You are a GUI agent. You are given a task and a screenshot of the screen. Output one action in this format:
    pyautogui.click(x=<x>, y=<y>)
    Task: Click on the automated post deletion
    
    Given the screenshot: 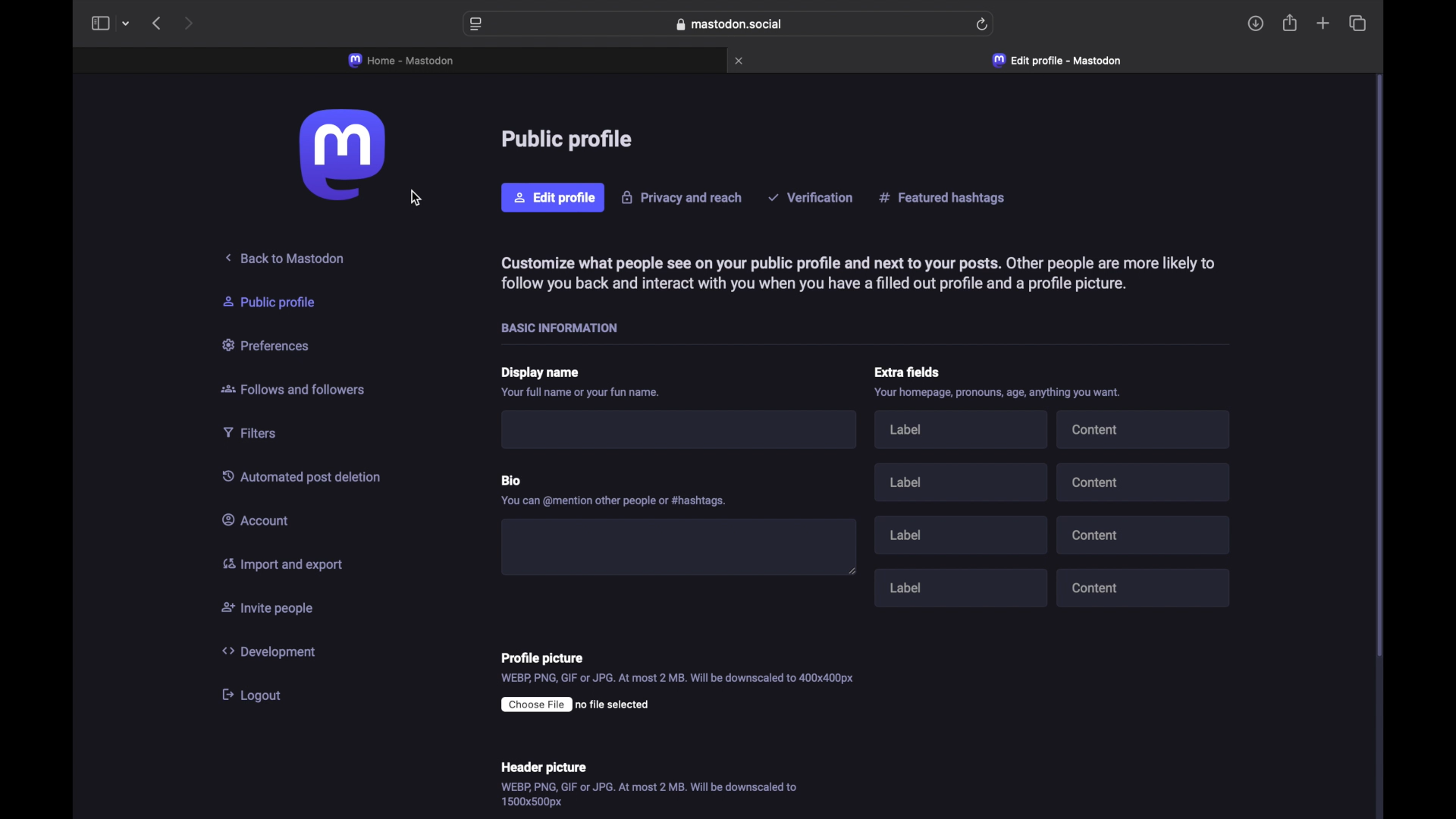 What is the action you would take?
    pyautogui.click(x=300, y=478)
    